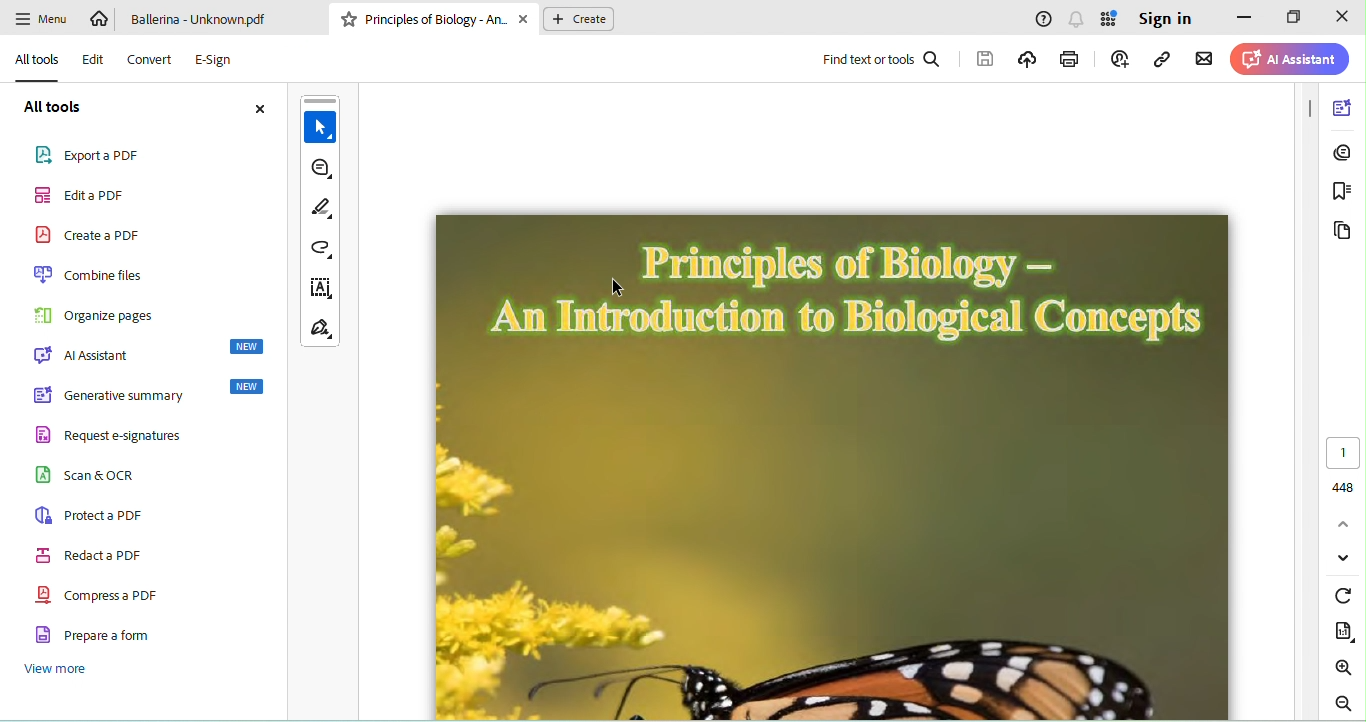 Image resolution: width=1366 pixels, height=722 pixels. What do you see at coordinates (1344, 558) in the screenshot?
I see `go to next page` at bounding box center [1344, 558].